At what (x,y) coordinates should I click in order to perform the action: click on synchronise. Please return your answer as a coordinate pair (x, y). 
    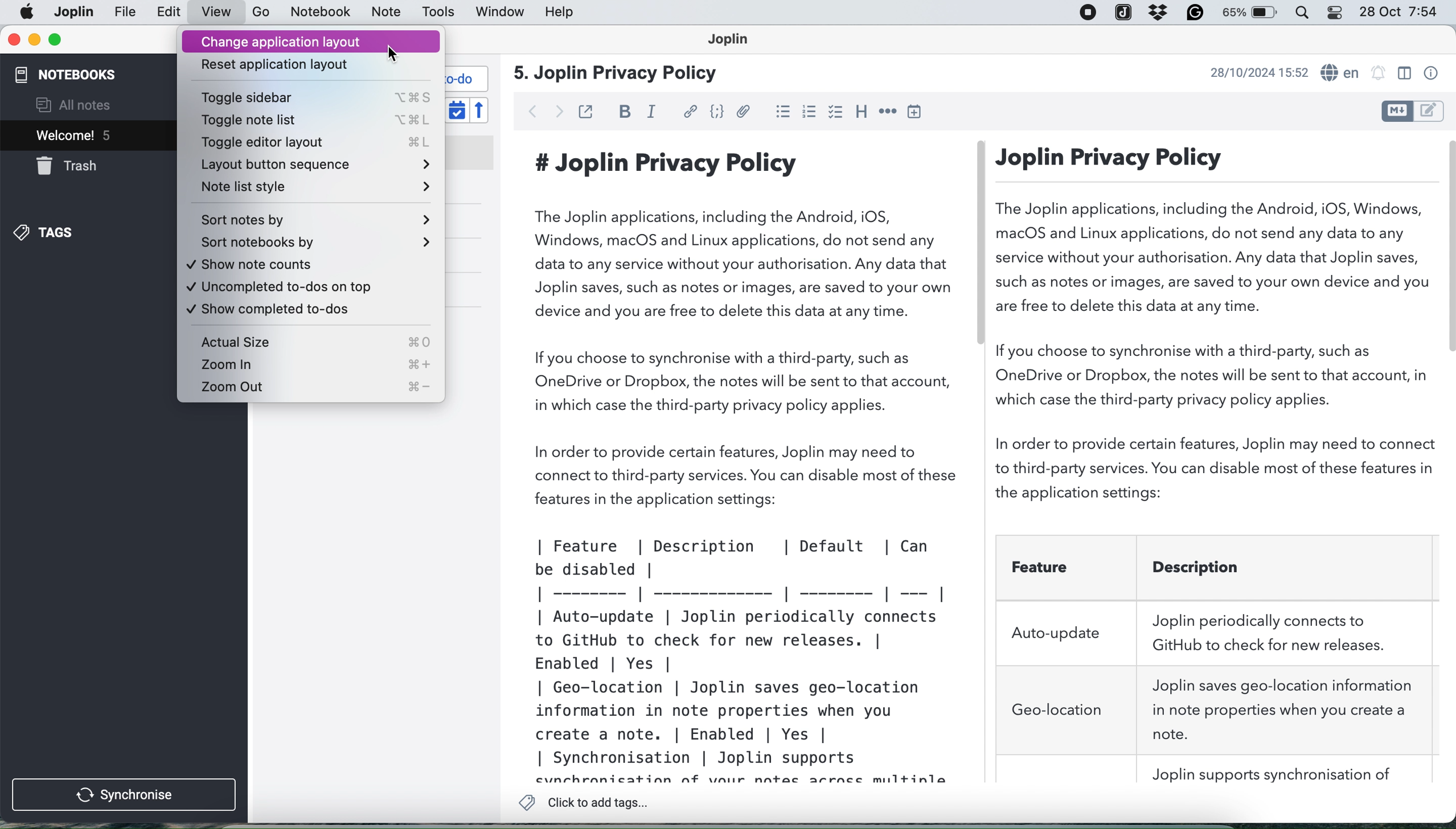
    Looking at the image, I should click on (125, 795).